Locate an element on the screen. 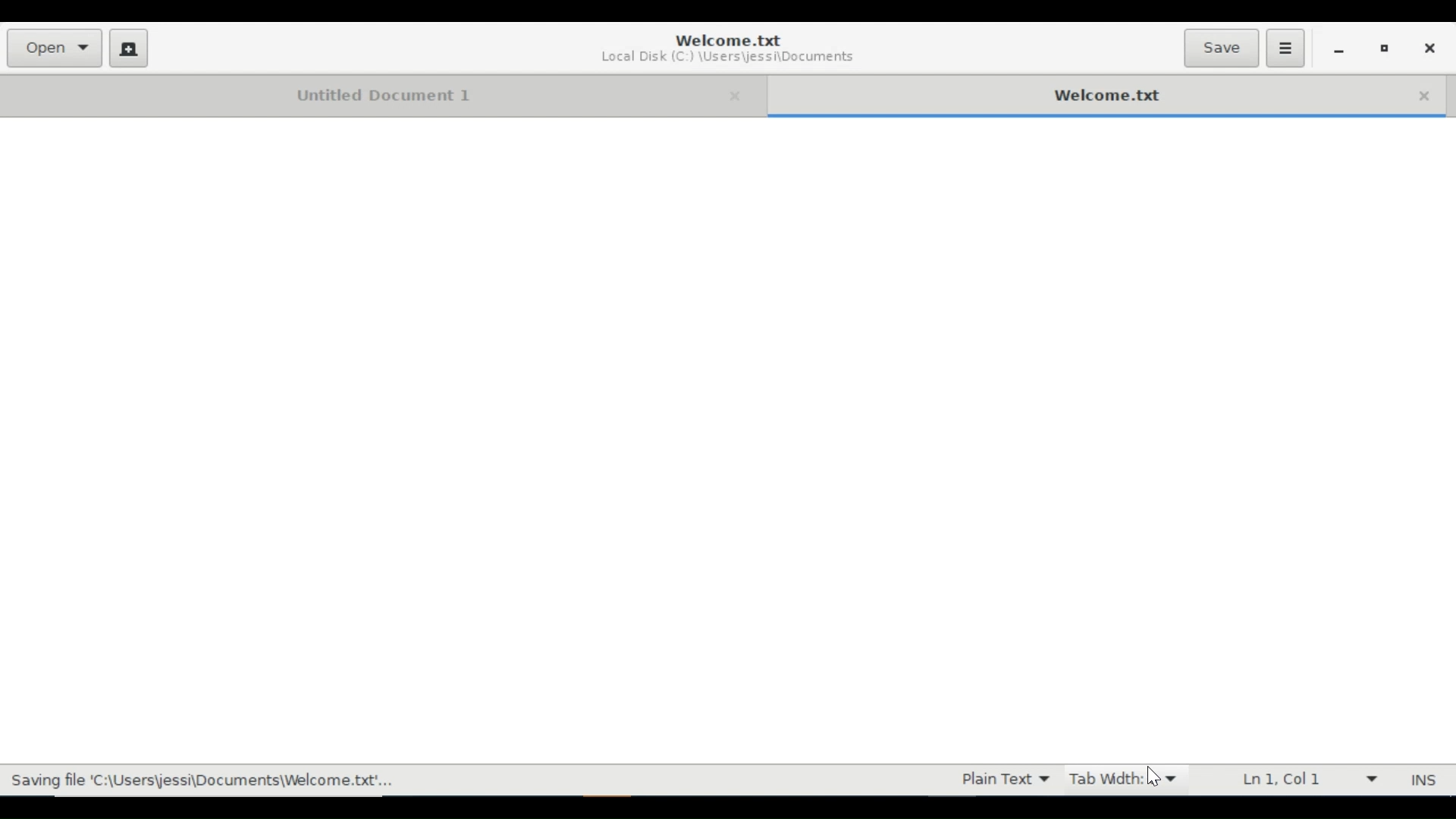 The image size is (1456, 819). INS is located at coordinates (1423, 780).